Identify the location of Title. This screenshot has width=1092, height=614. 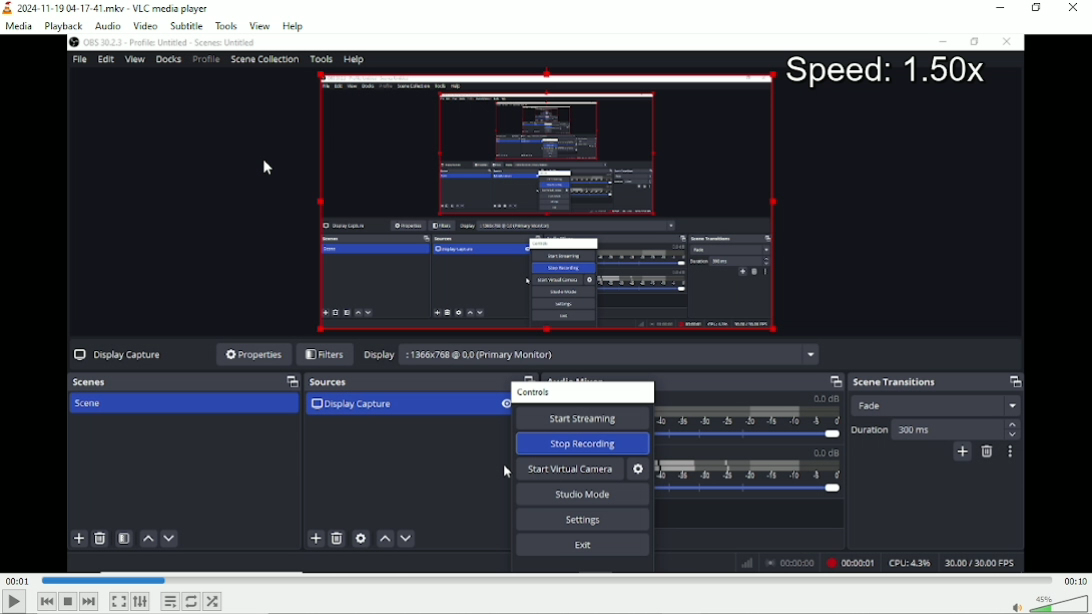
(107, 7).